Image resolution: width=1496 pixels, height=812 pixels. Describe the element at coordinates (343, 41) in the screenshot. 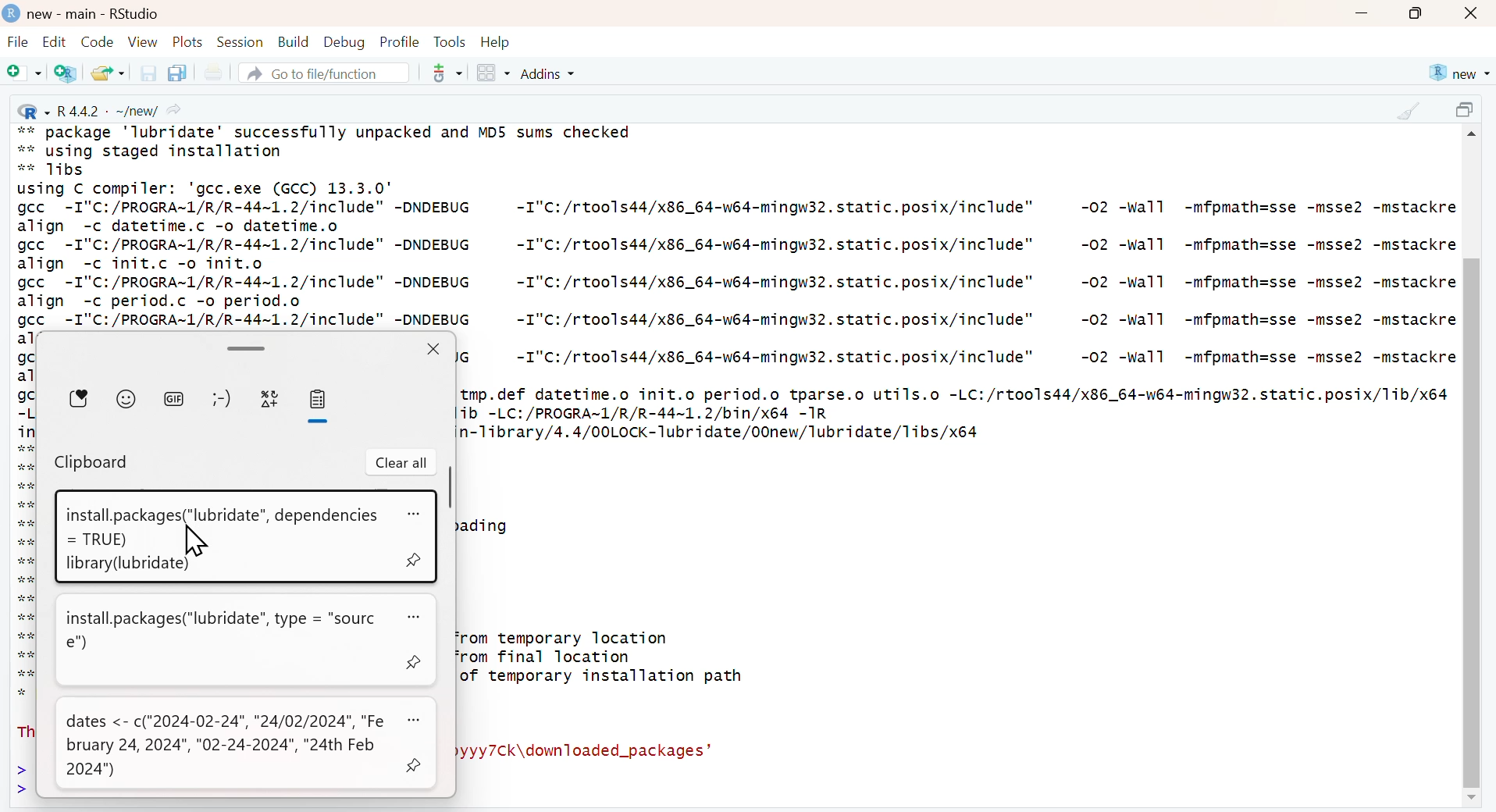

I see `Debug` at that location.